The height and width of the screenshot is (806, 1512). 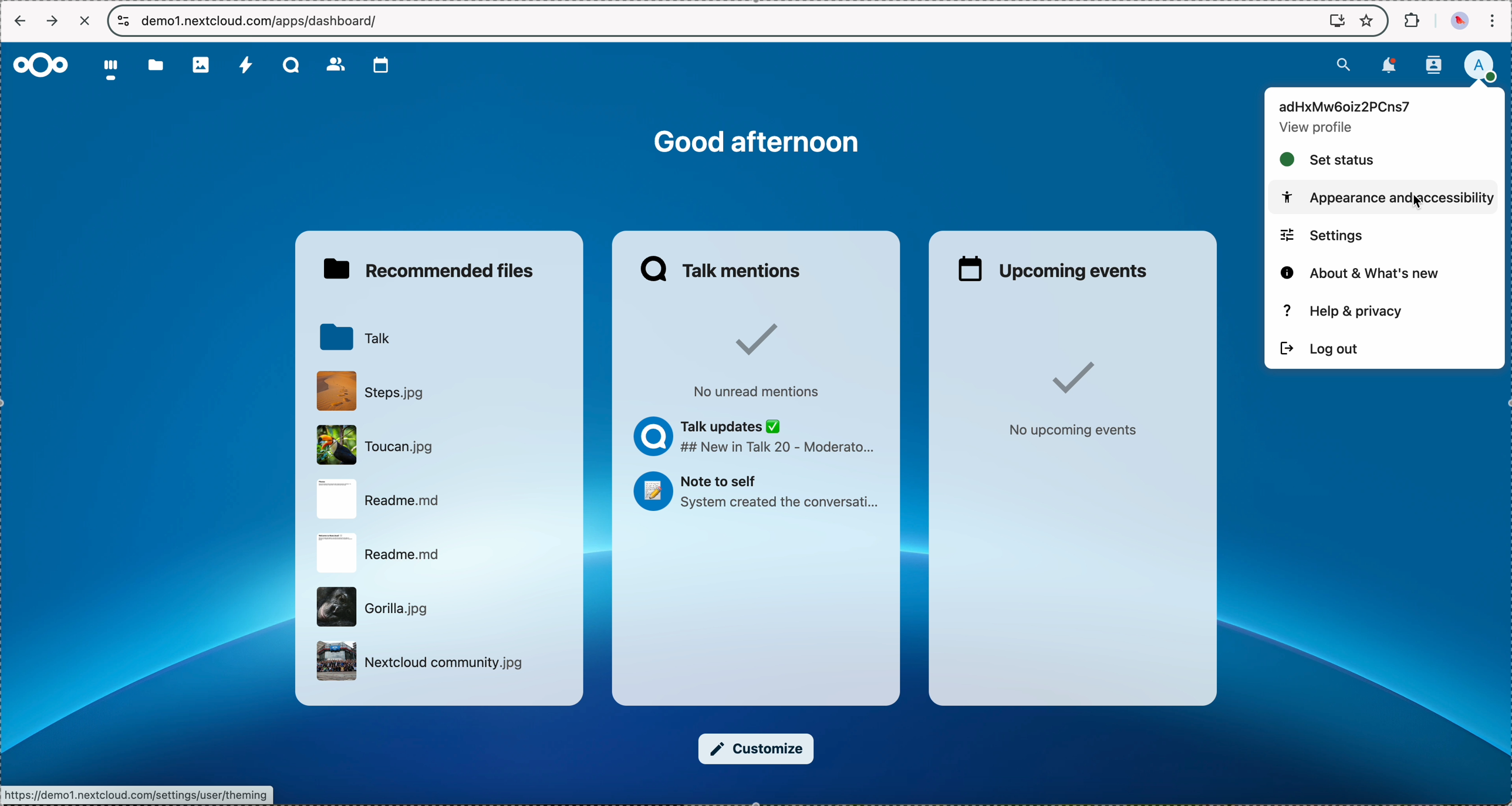 I want to click on calendar, so click(x=376, y=65).